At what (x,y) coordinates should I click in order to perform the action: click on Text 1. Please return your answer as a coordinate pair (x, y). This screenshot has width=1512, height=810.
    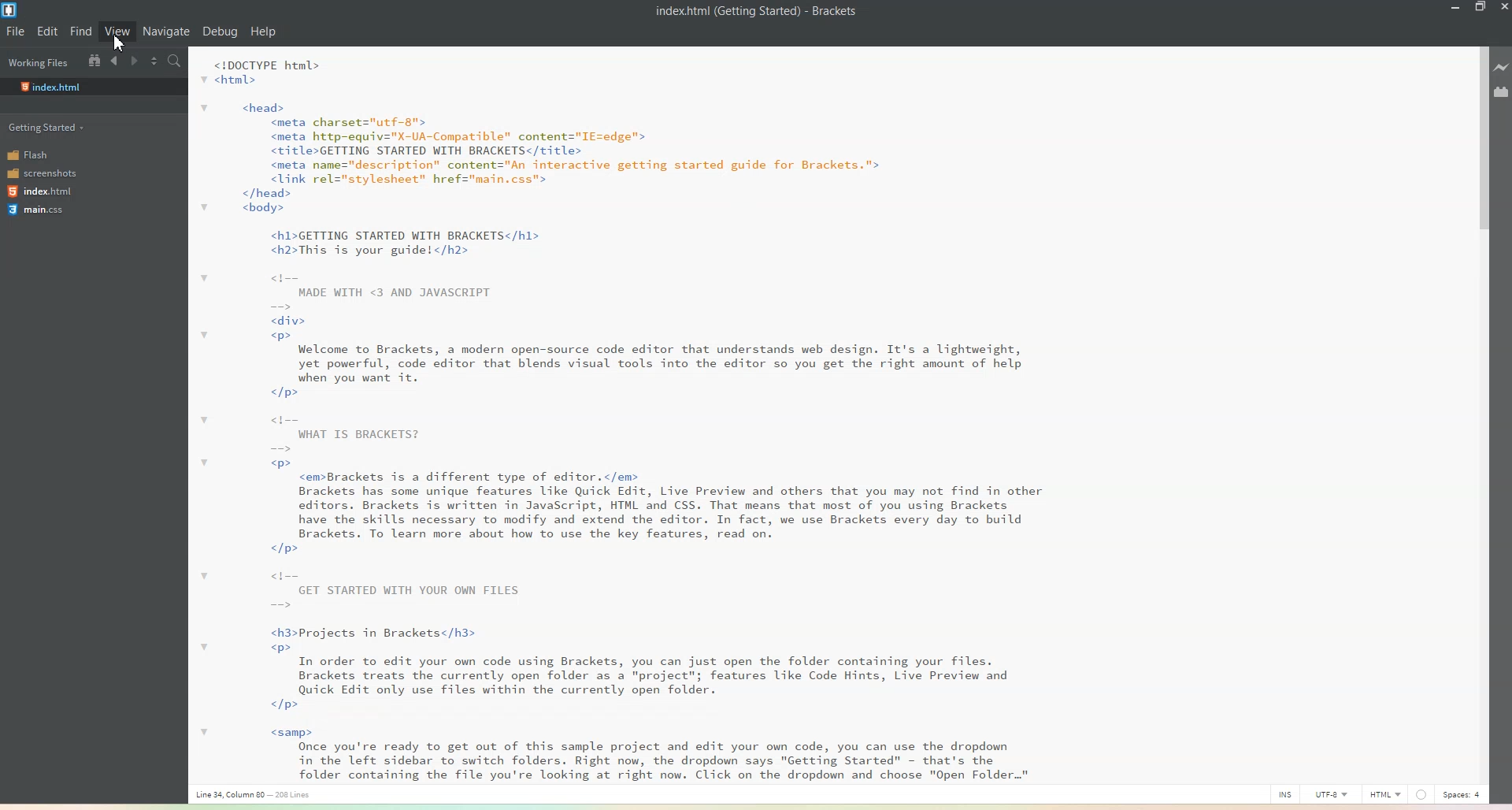
    Looking at the image, I should click on (643, 418).